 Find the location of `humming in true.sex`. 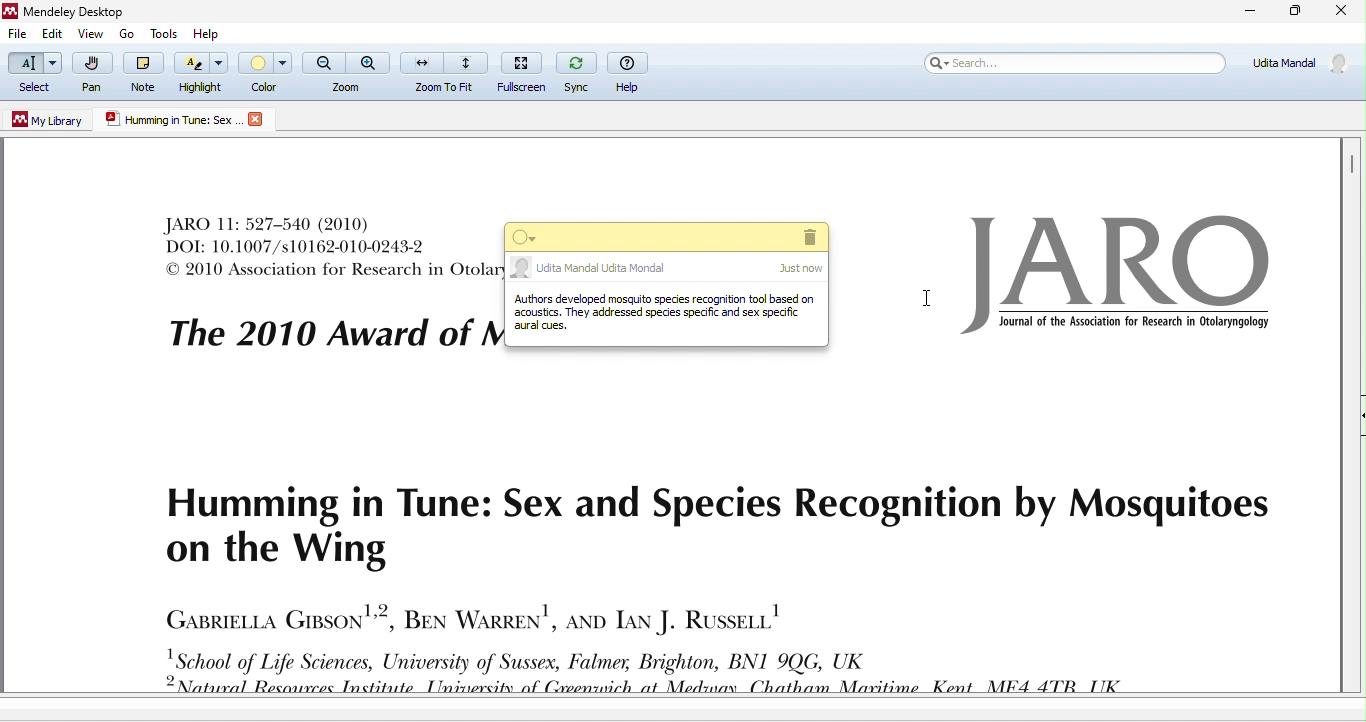

humming in true.sex is located at coordinates (173, 118).